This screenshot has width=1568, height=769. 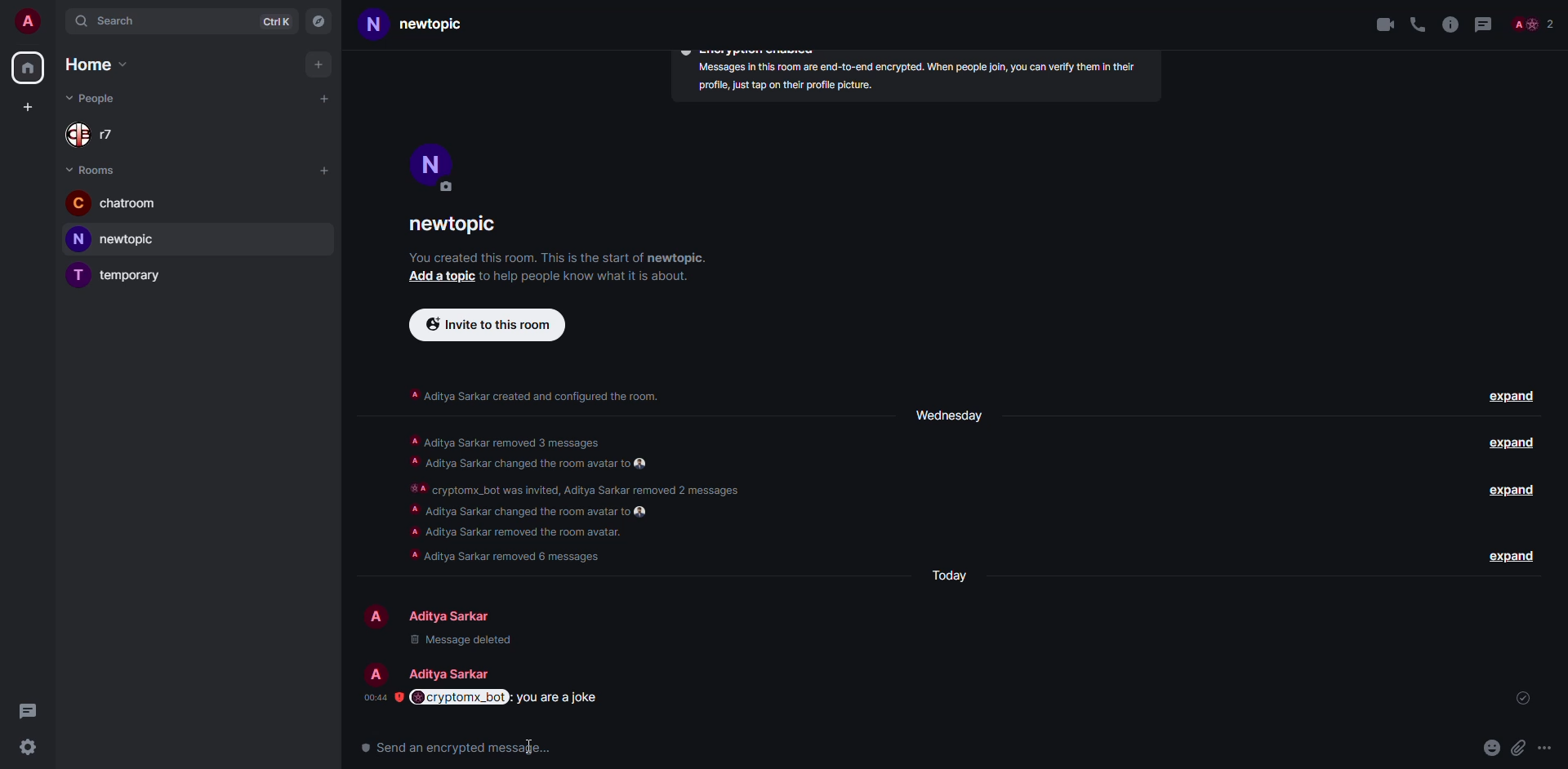 What do you see at coordinates (1536, 24) in the screenshot?
I see `people` at bounding box center [1536, 24].